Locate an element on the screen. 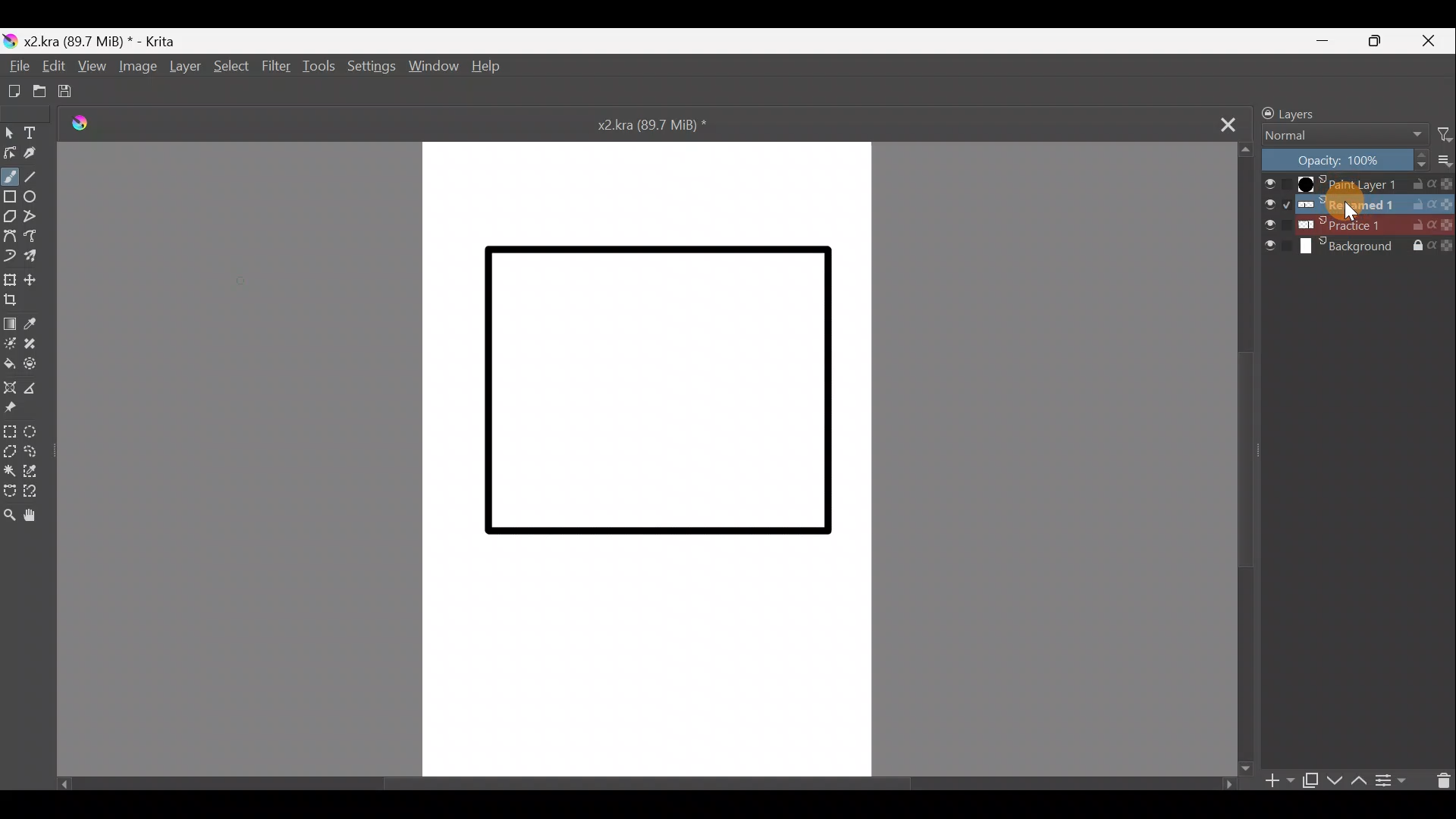 Image resolution: width=1456 pixels, height=819 pixels. Filter is located at coordinates (274, 65).